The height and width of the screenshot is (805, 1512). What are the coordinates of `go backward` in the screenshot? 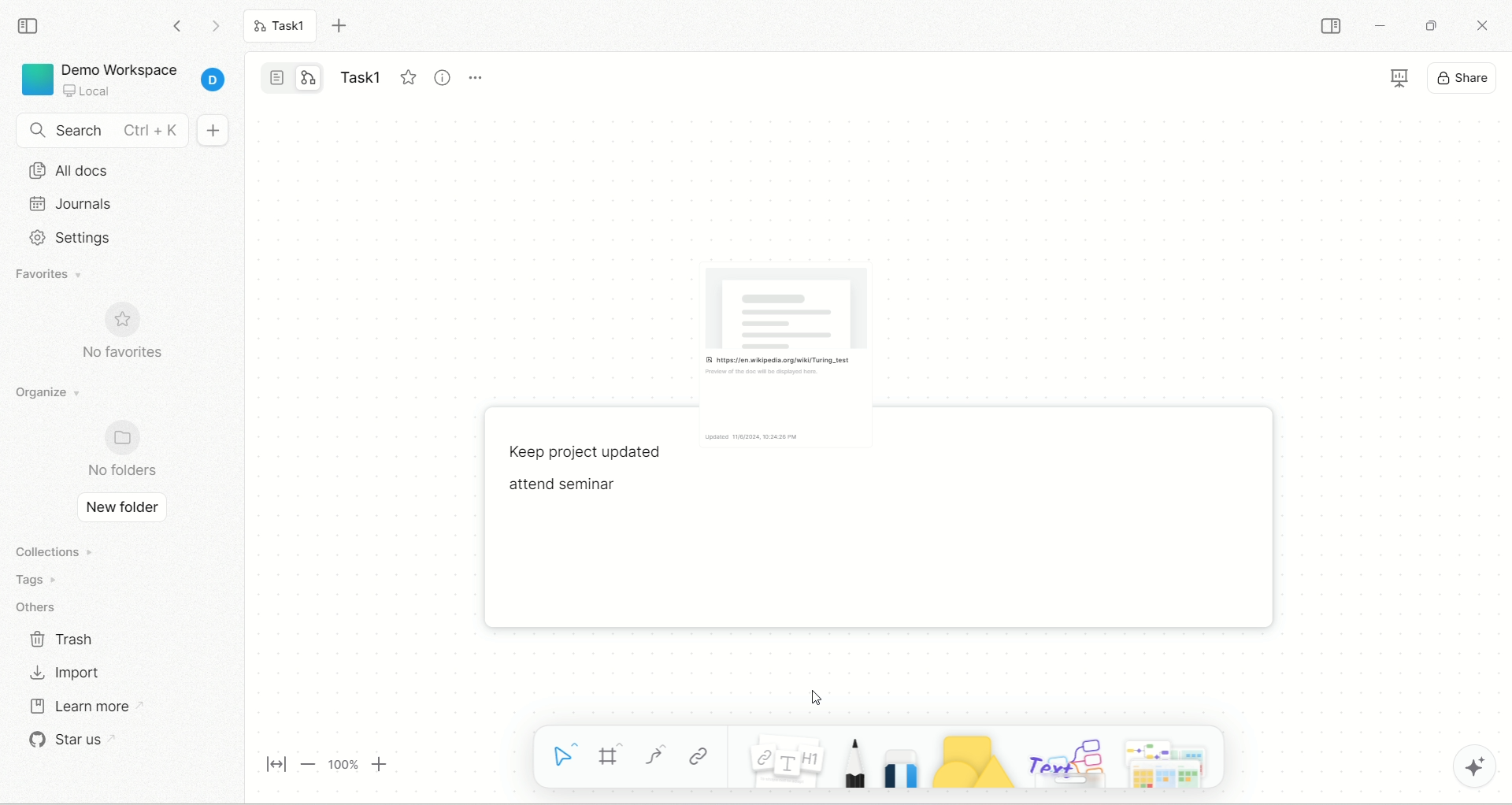 It's located at (176, 24).